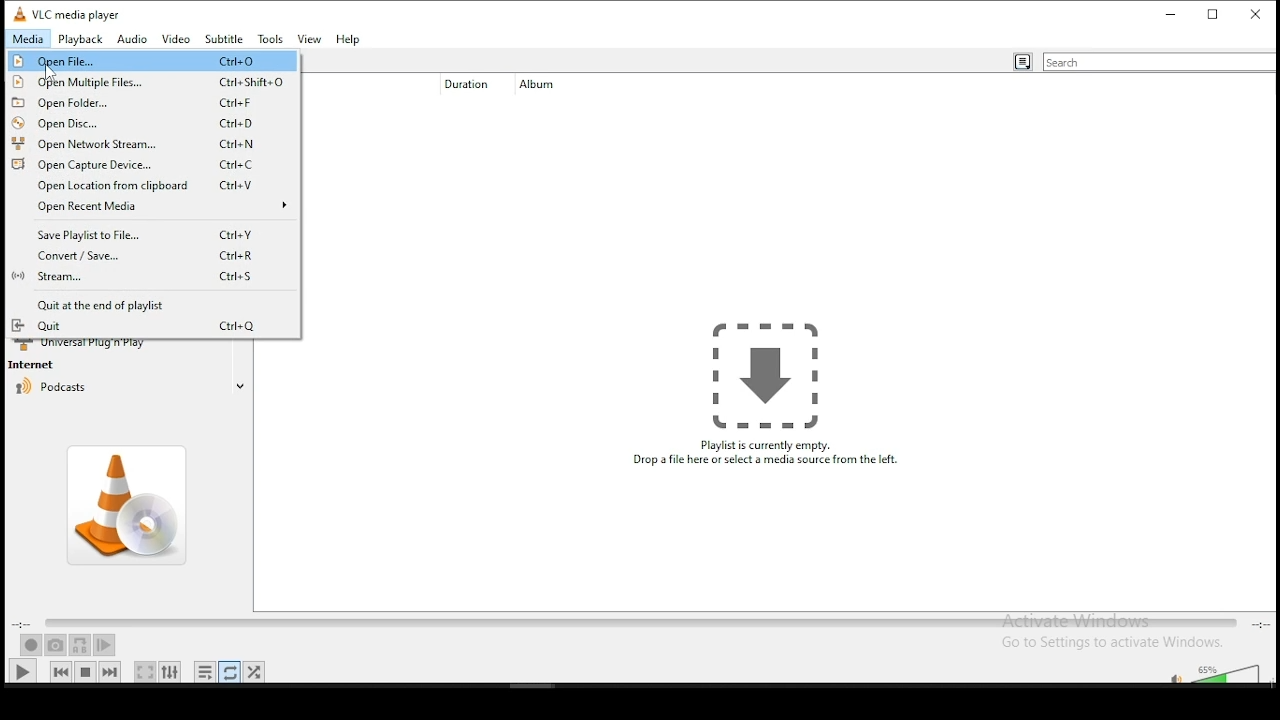 Image resolution: width=1280 pixels, height=720 pixels. What do you see at coordinates (81, 646) in the screenshot?
I see `loop between point A to point B continuously` at bounding box center [81, 646].